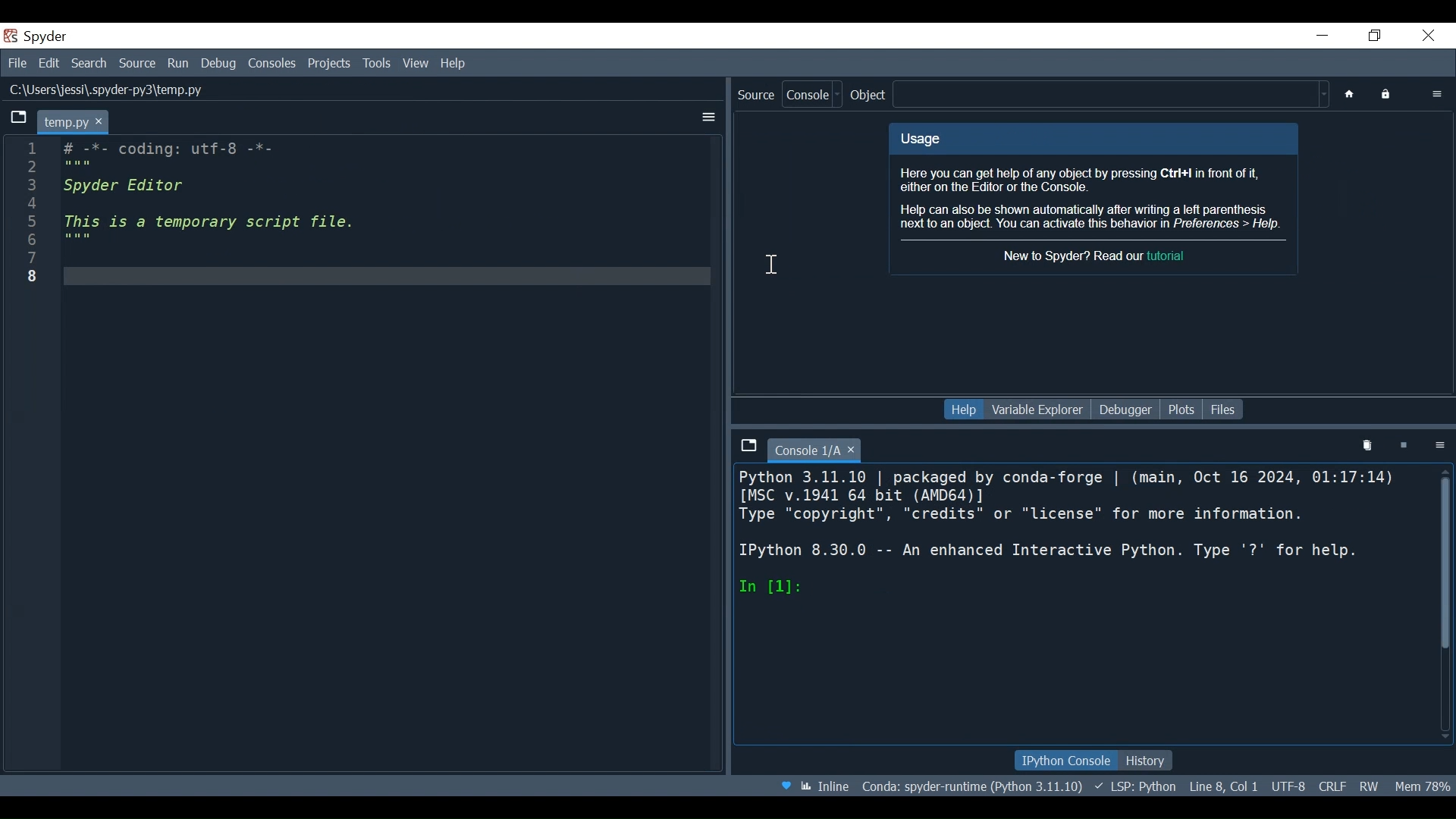 The width and height of the screenshot is (1456, 819). What do you see at coordinates (1067, 759) in the screenshot?
I see `IPython Console` at bounding box center [1067, 759].